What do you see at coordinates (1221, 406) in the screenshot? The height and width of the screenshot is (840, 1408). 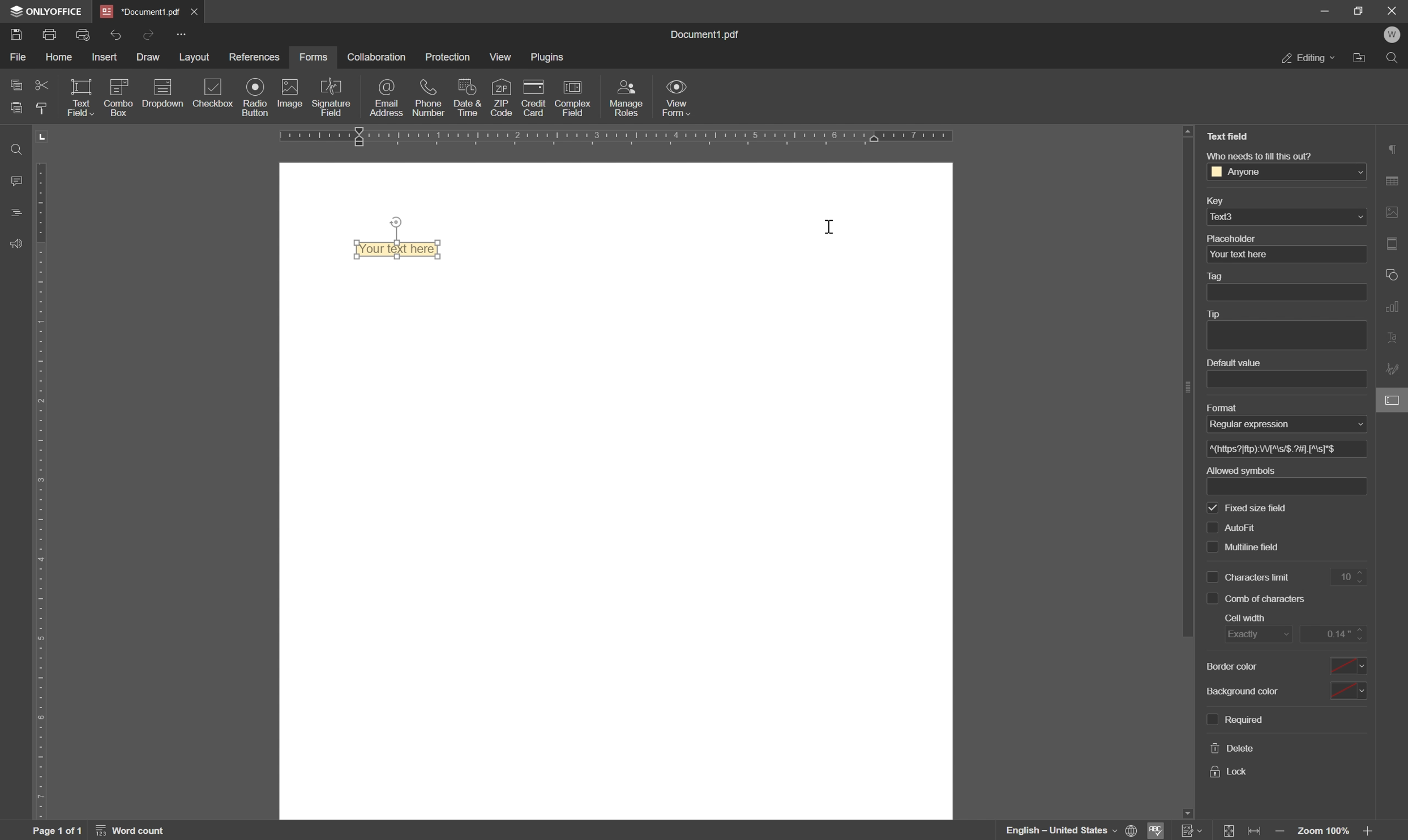 I see `format` at bounding box center [1221, 406].